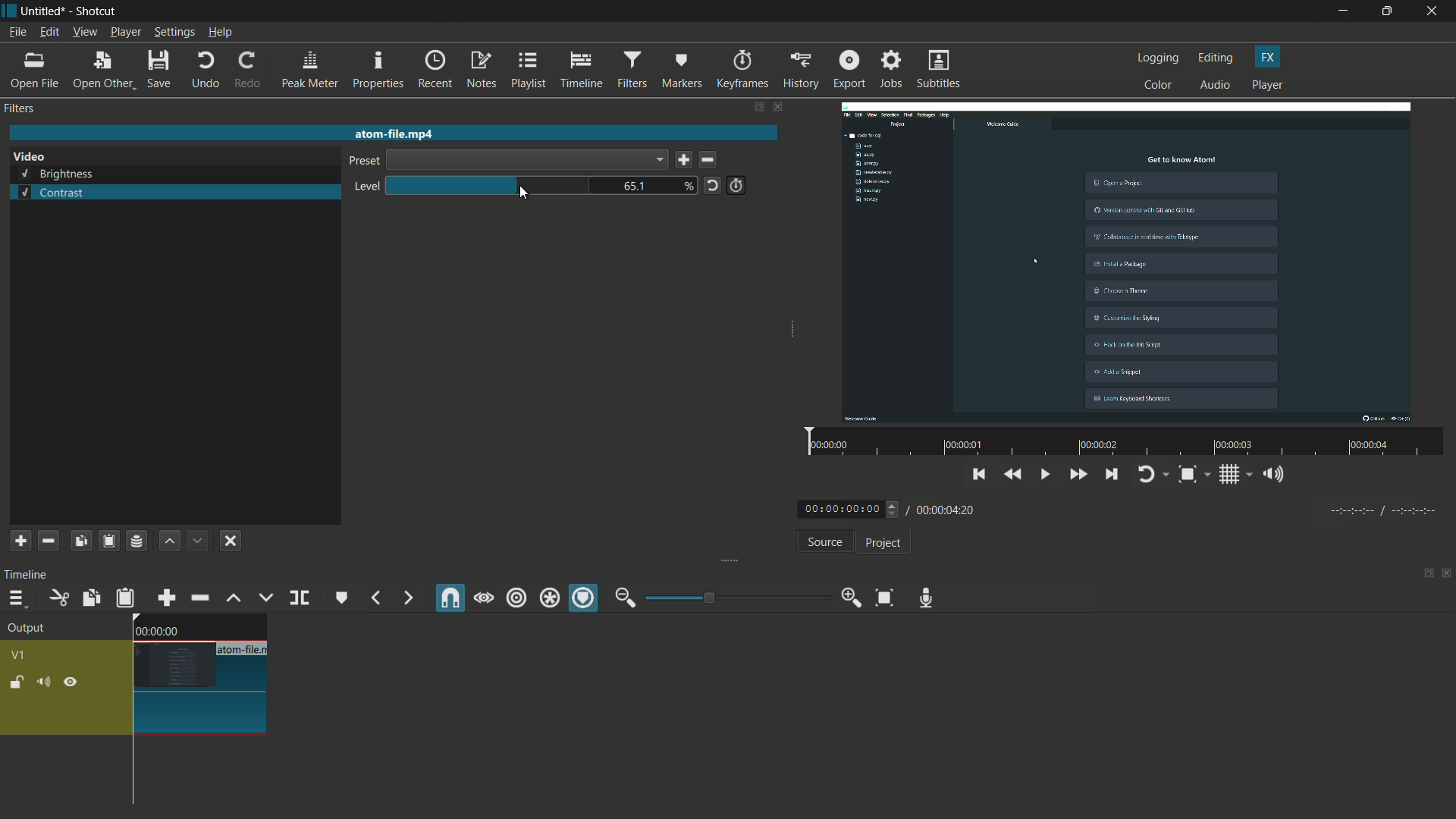 This screenshot has height=819, width=1456. I want to click on player menu, so click(127, 32).